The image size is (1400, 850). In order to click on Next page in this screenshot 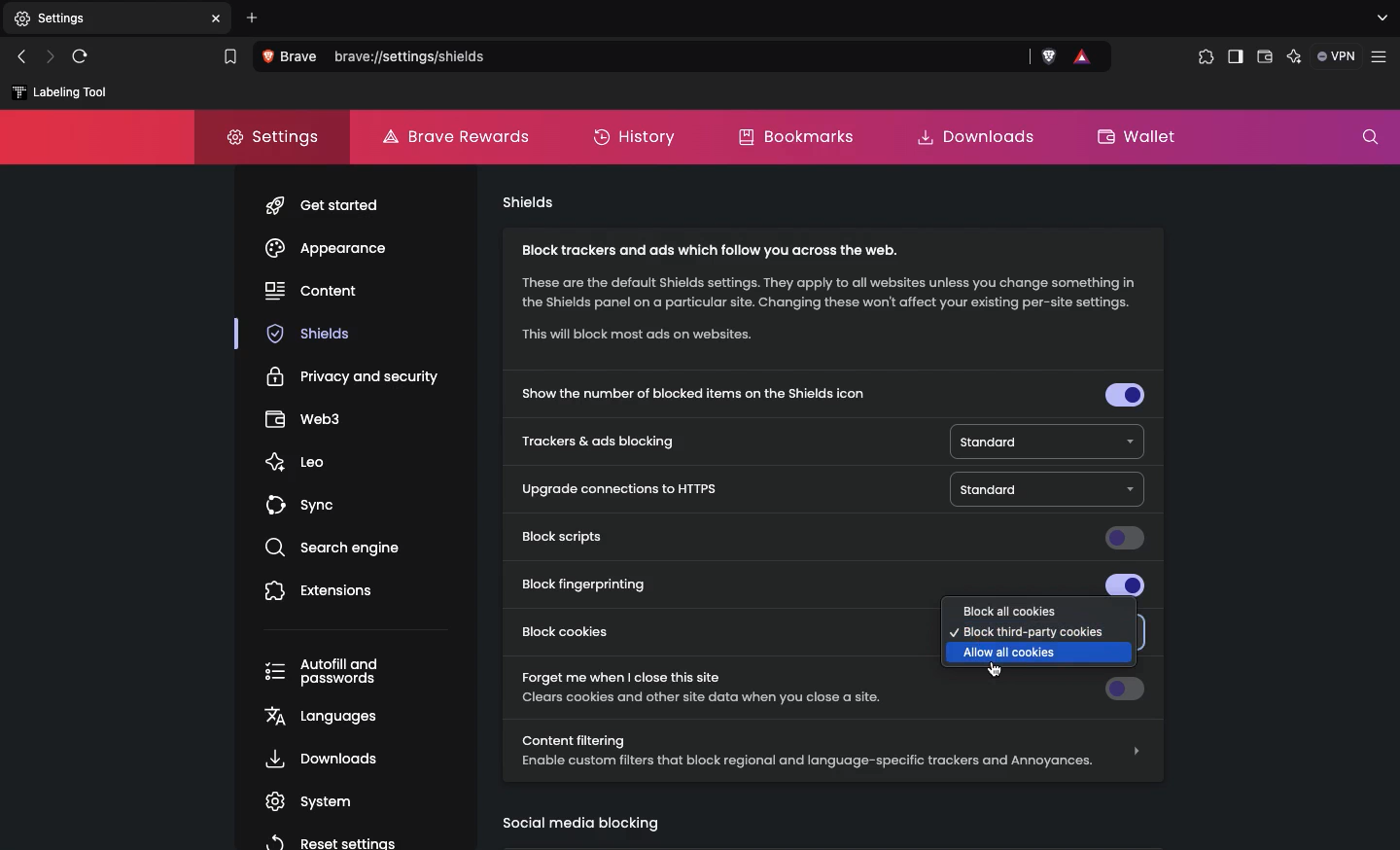, I will do `click(49, 57)`.